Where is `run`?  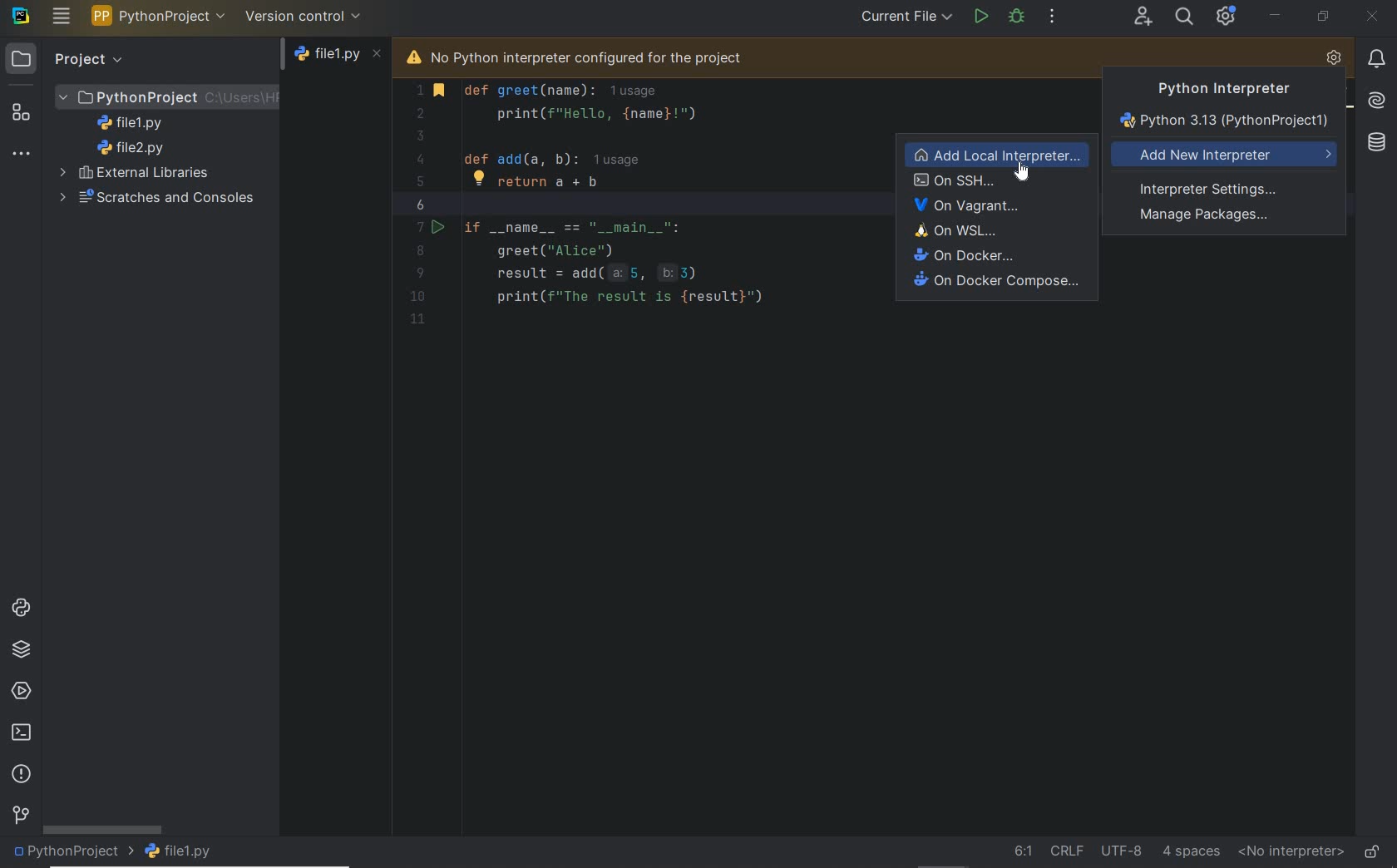 run is located at coordinates (980, 15).